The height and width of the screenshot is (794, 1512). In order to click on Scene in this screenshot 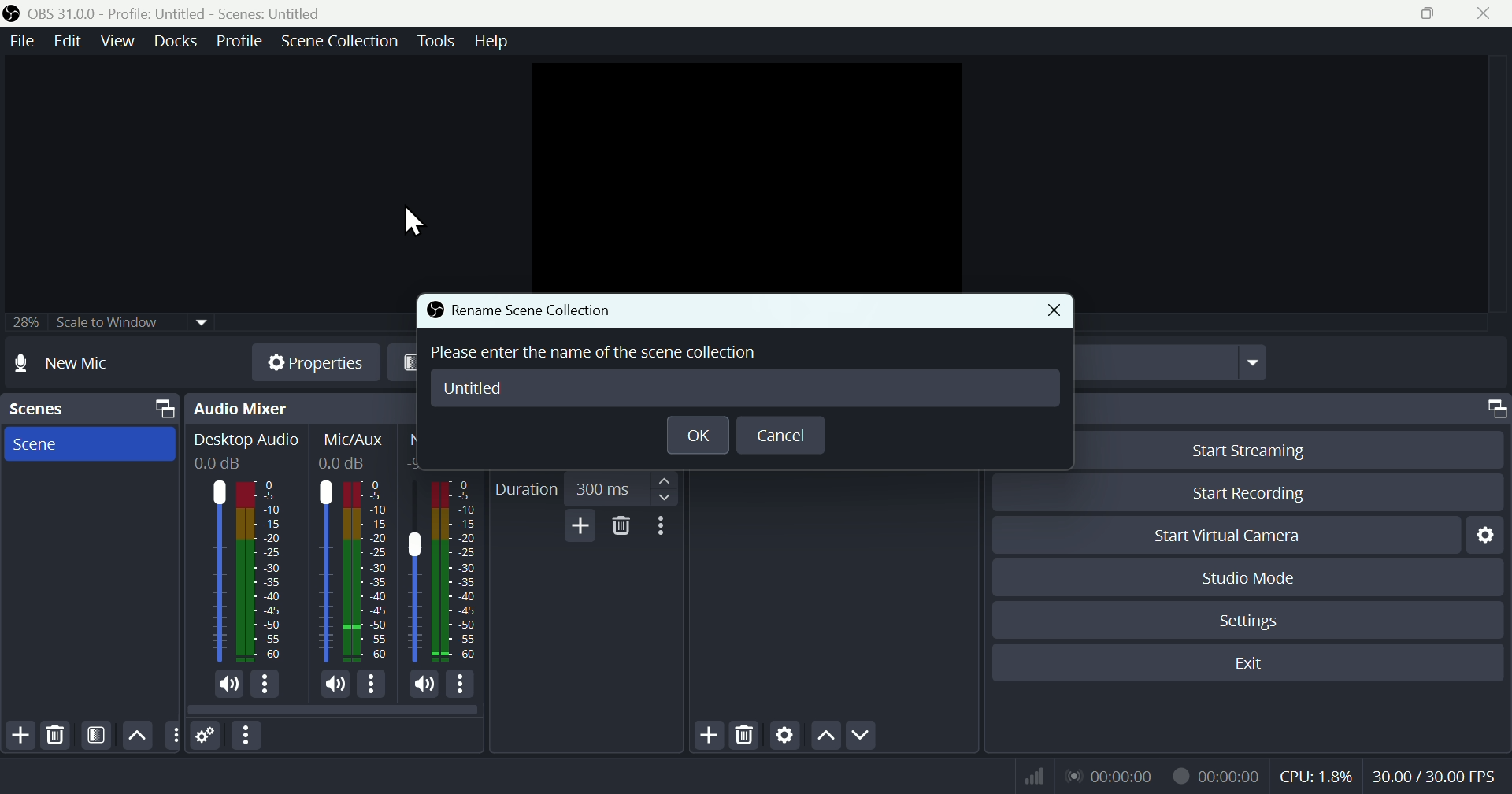, I will do `click(91, 445)`.